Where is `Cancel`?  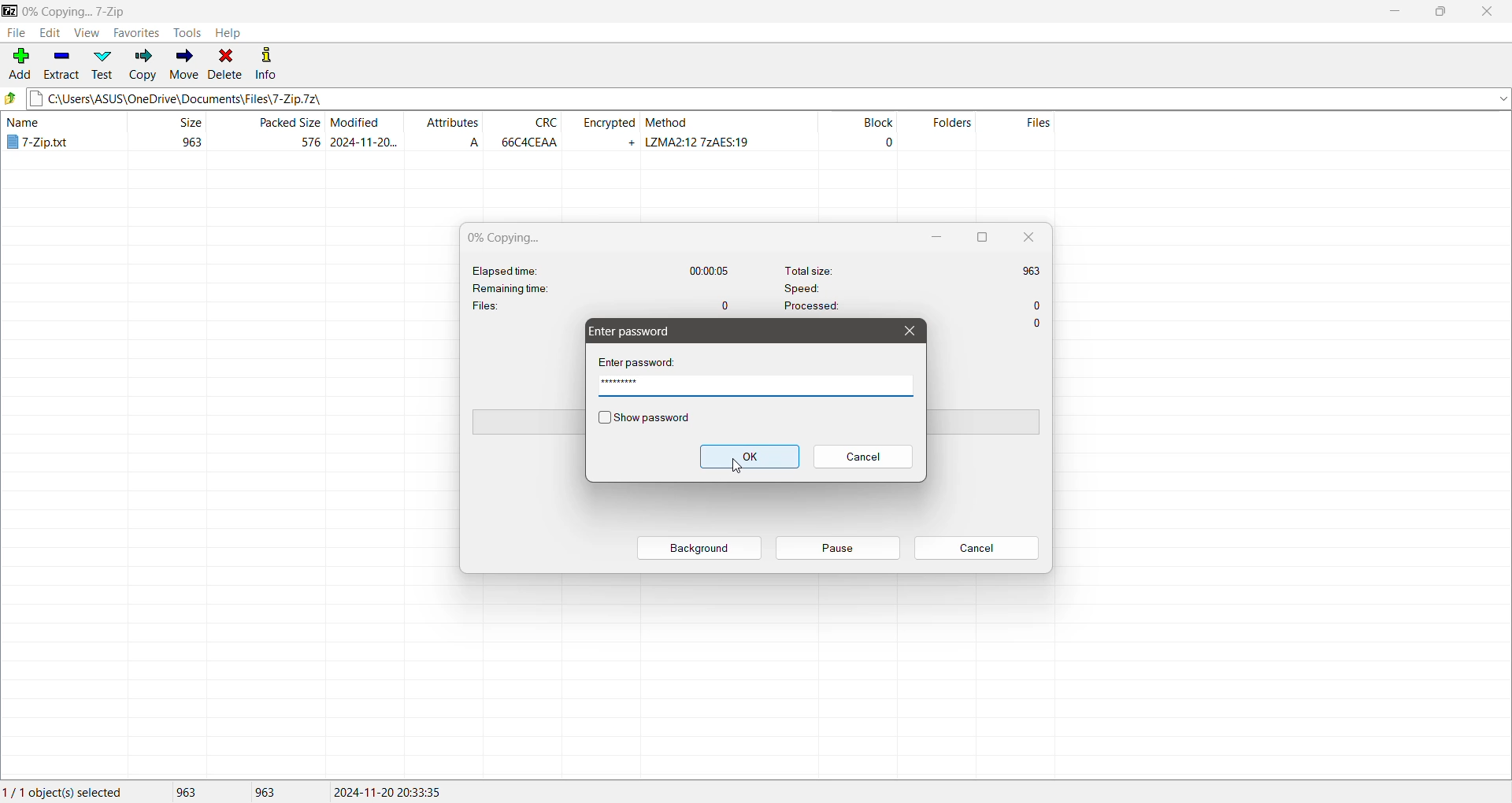 Cancel is located at coordinates (976, 549).